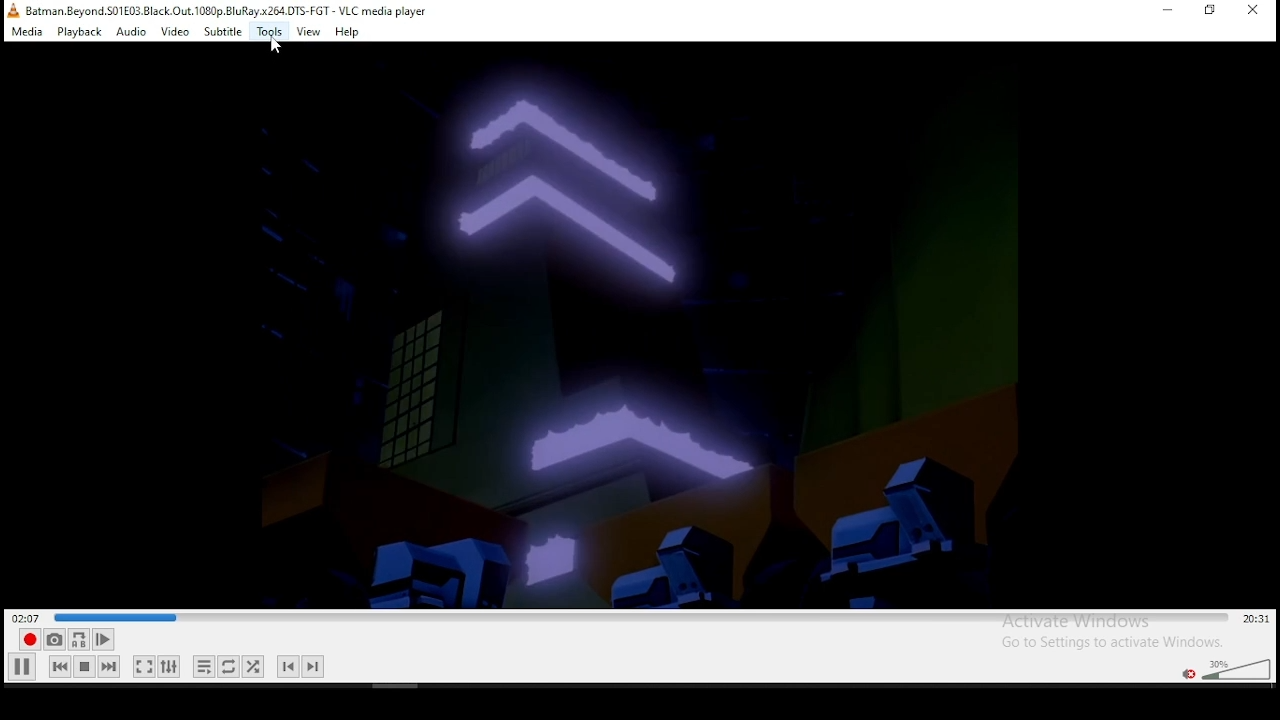  I want to click on subtitle, so click(221, 32).